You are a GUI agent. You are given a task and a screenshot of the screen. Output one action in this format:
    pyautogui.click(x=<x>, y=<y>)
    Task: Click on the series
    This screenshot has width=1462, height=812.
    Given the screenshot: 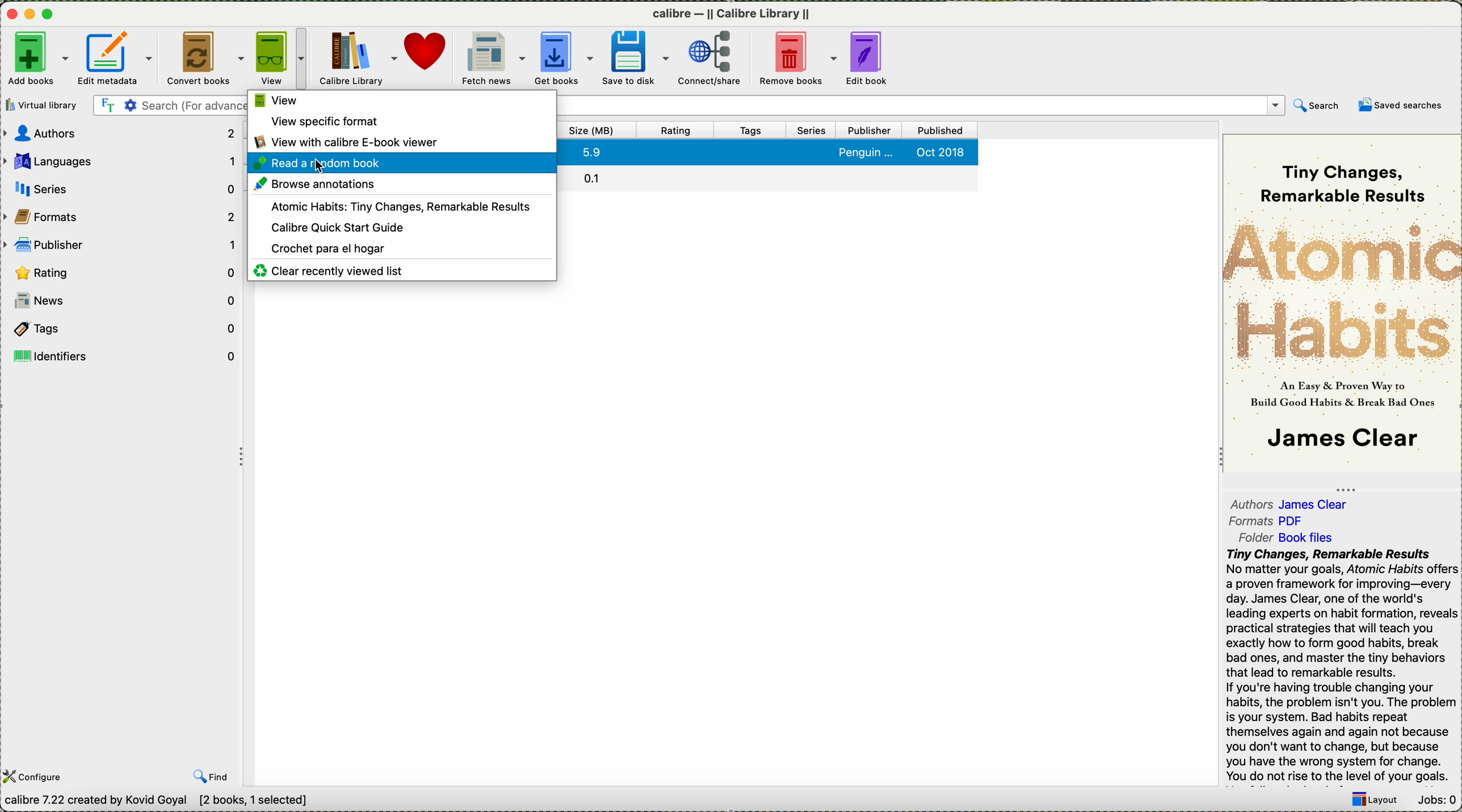 What is the action you would take?
    pyautogui.click(x=121, y=187)
    